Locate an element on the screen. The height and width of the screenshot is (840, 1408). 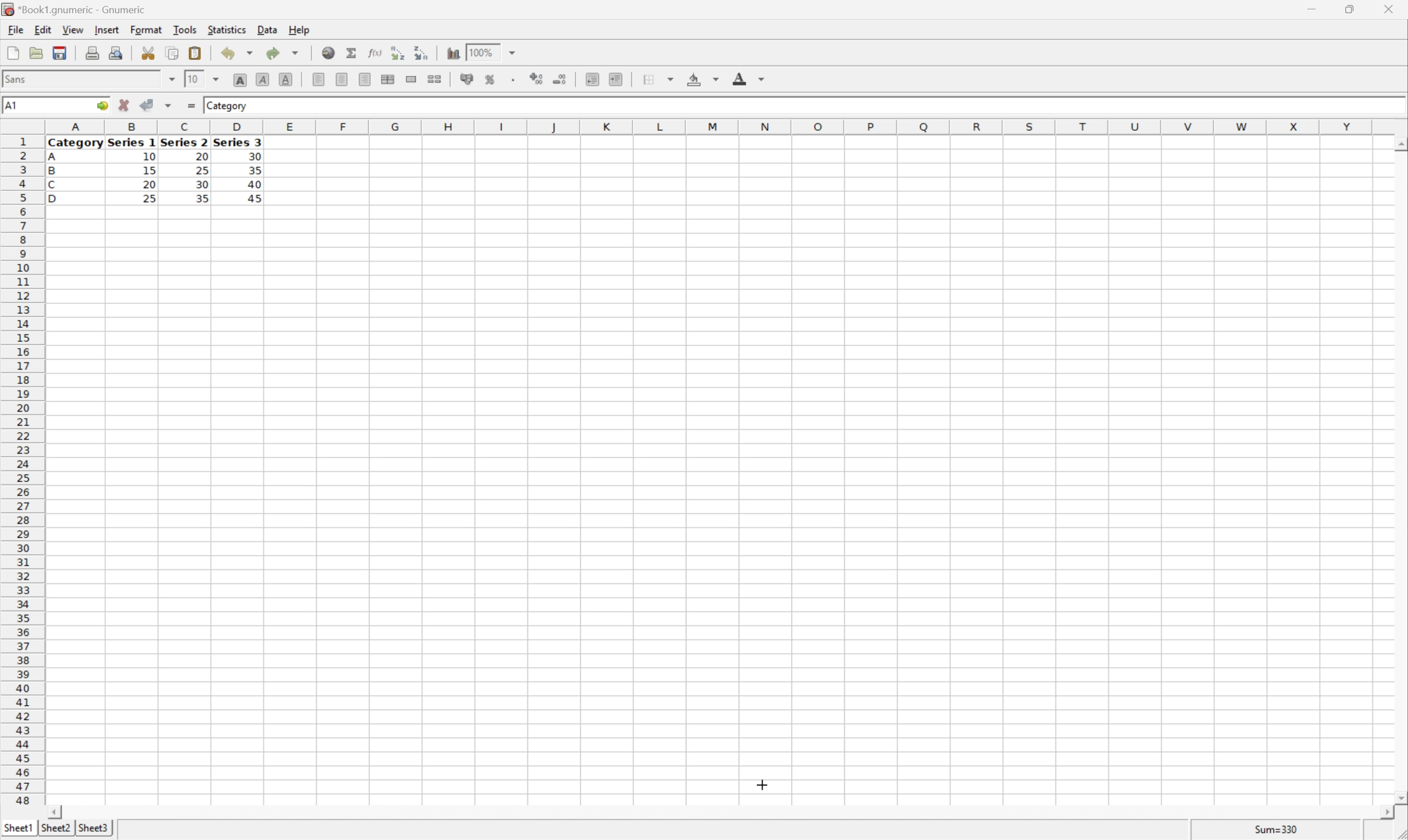
Redo is located at coordinates (281, 52).